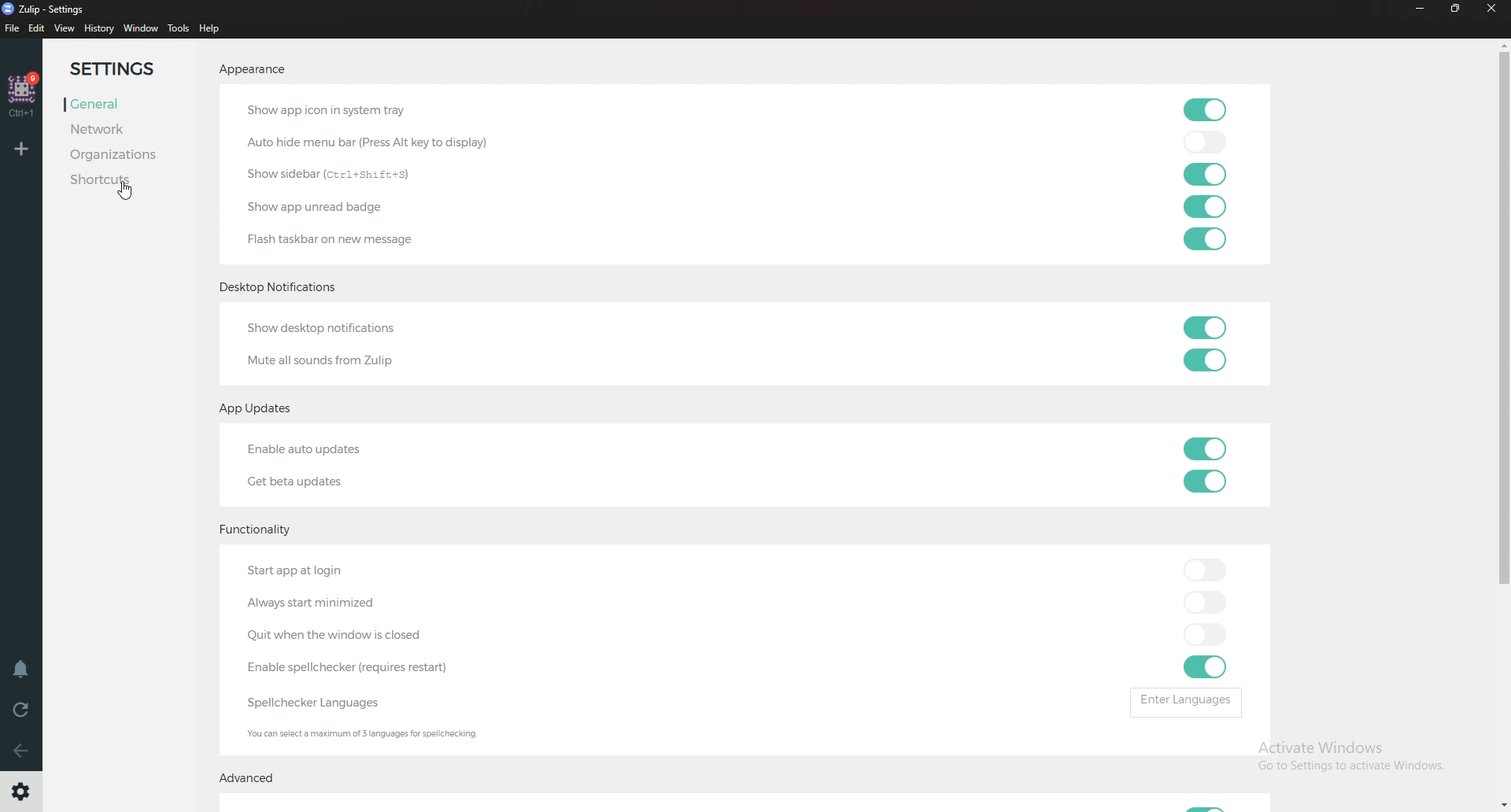  I want to click on Window, so click(143, 28).